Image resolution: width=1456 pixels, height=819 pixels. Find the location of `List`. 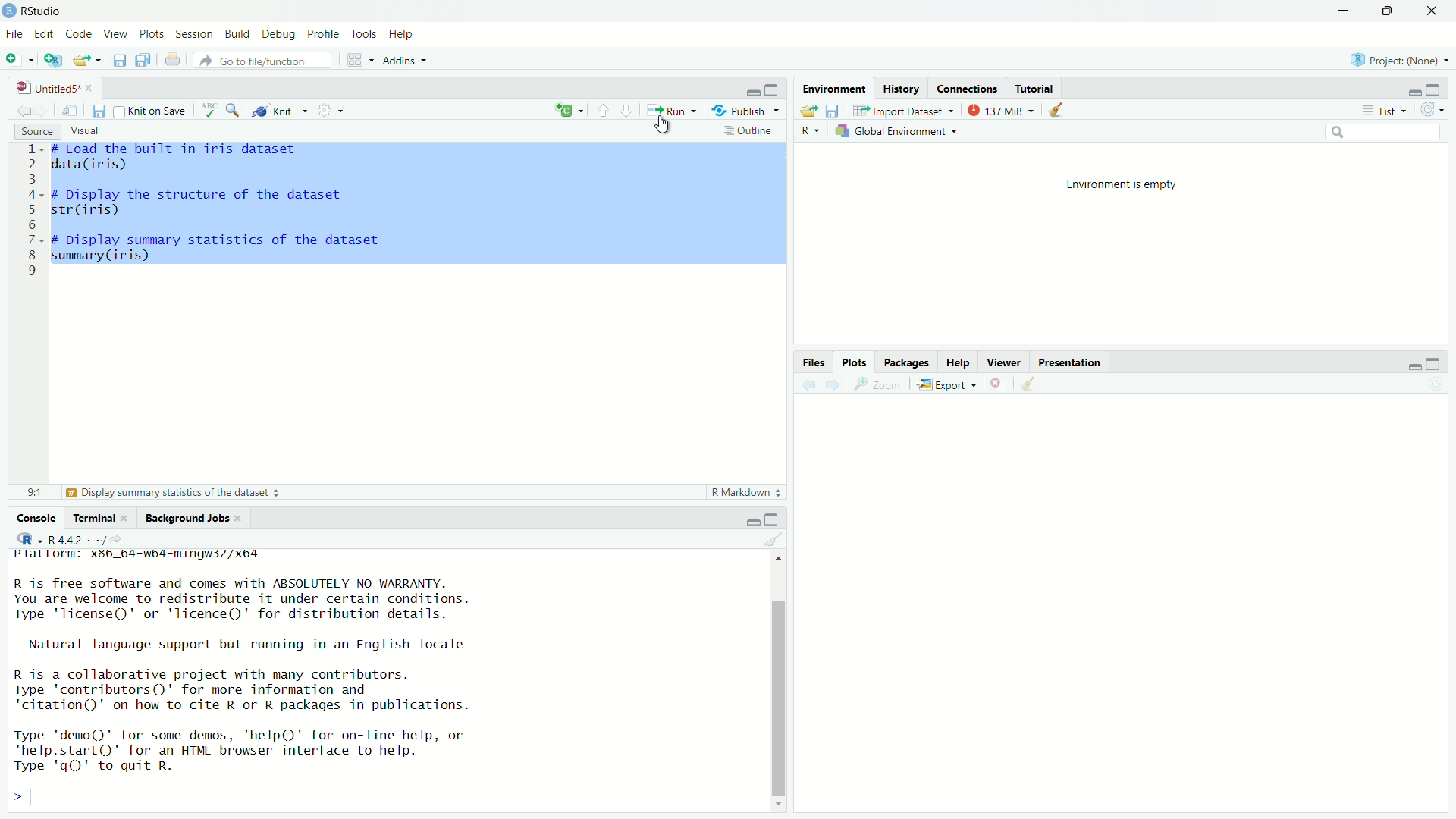

List is located at coordinates (1382, 109).